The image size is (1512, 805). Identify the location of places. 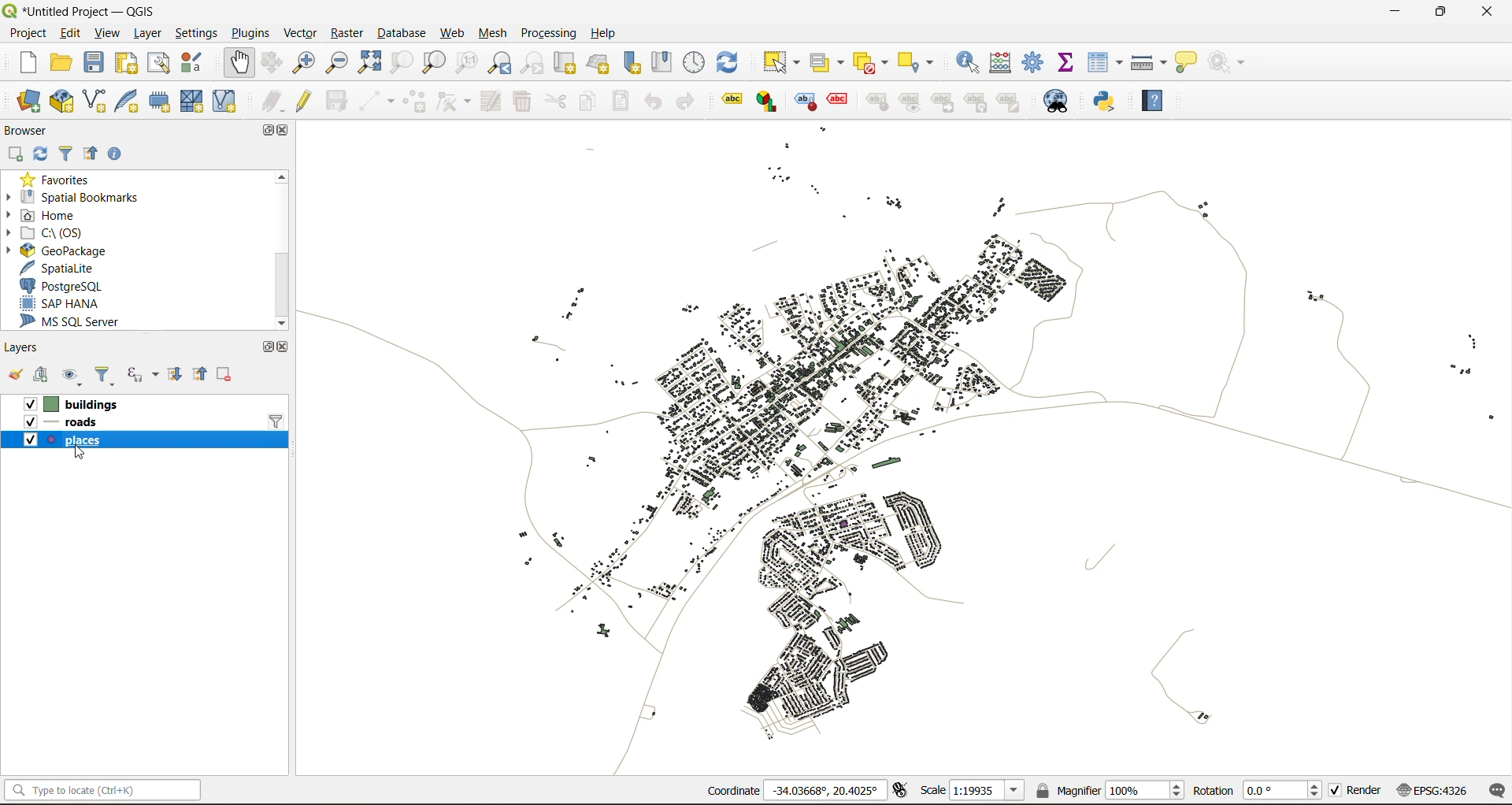
(87, 441).